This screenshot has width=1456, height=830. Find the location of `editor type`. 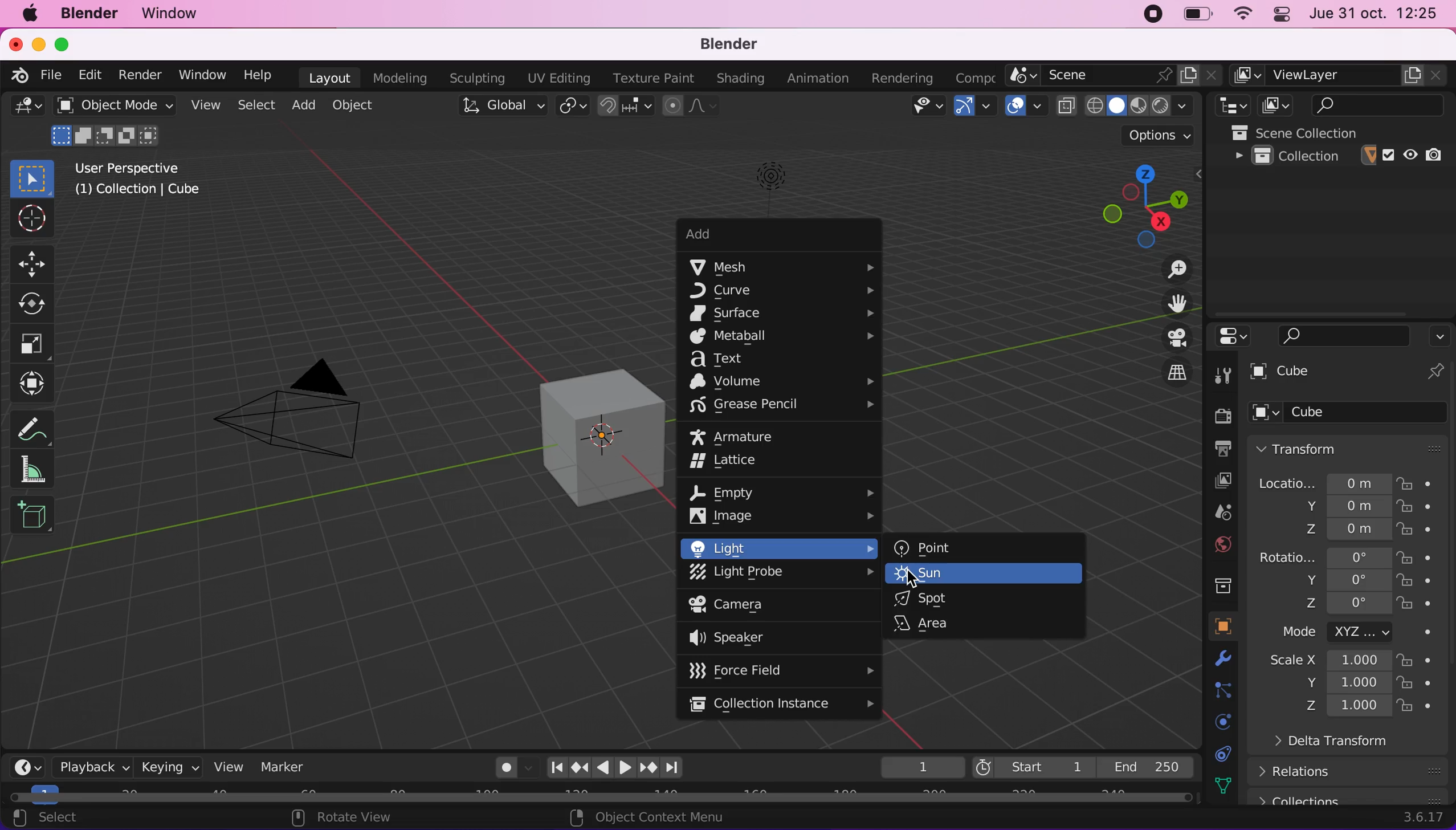

editor type is located at coordinates (25, 111).